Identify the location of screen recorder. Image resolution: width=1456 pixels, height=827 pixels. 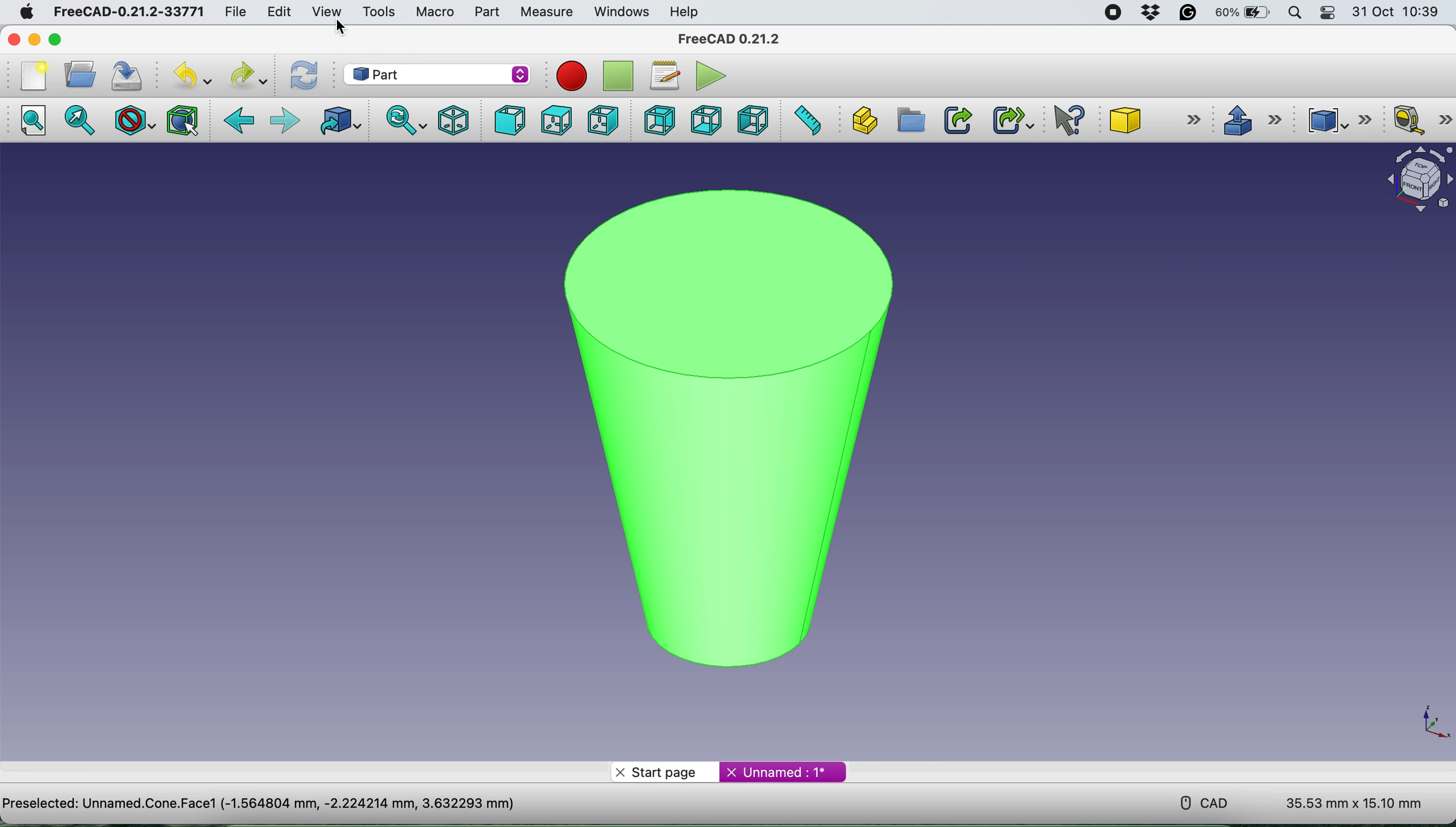
(1109, 12).